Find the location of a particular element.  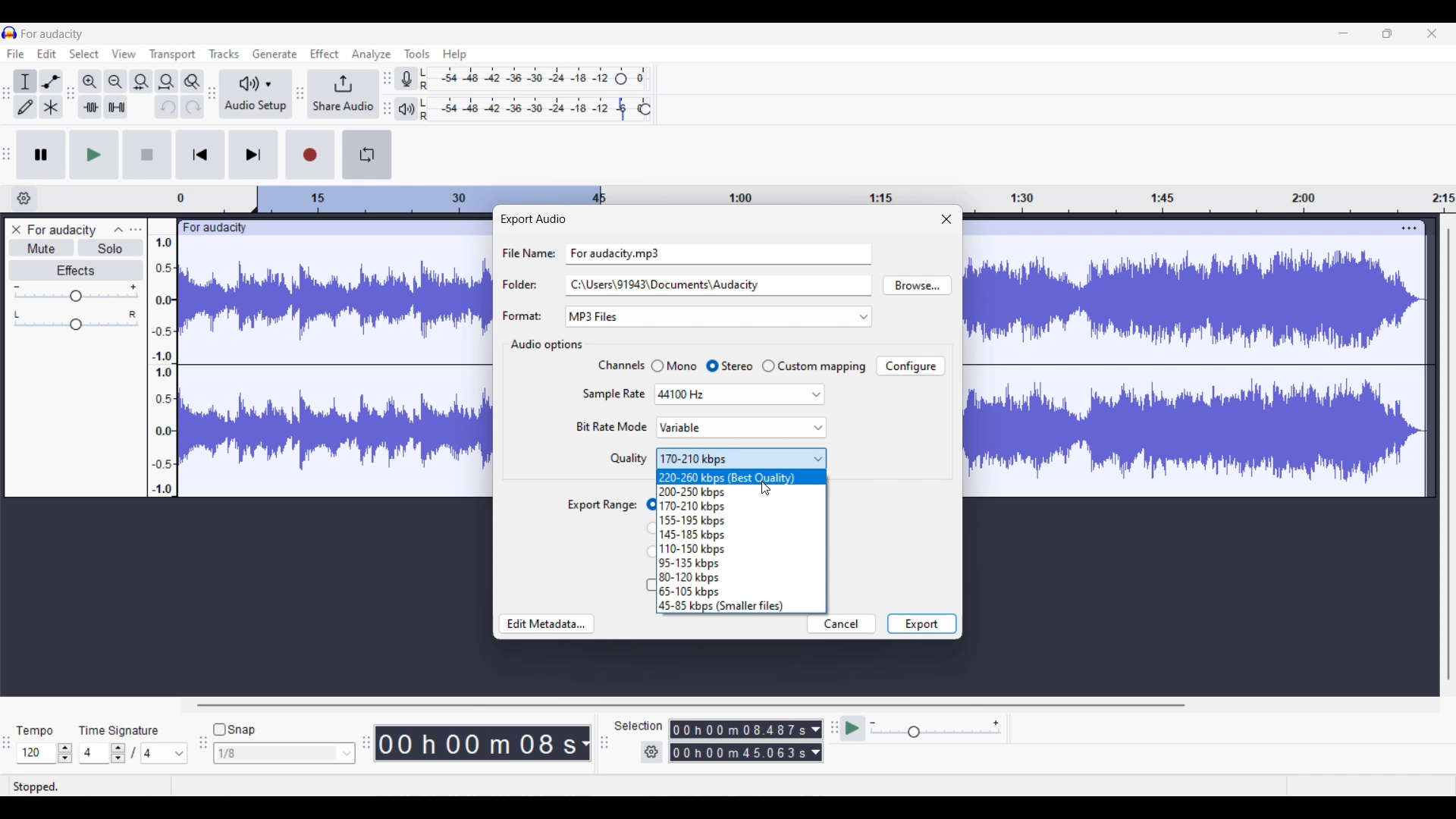

Toggle for Stereo, current selection is located at coordinates (730, 366).